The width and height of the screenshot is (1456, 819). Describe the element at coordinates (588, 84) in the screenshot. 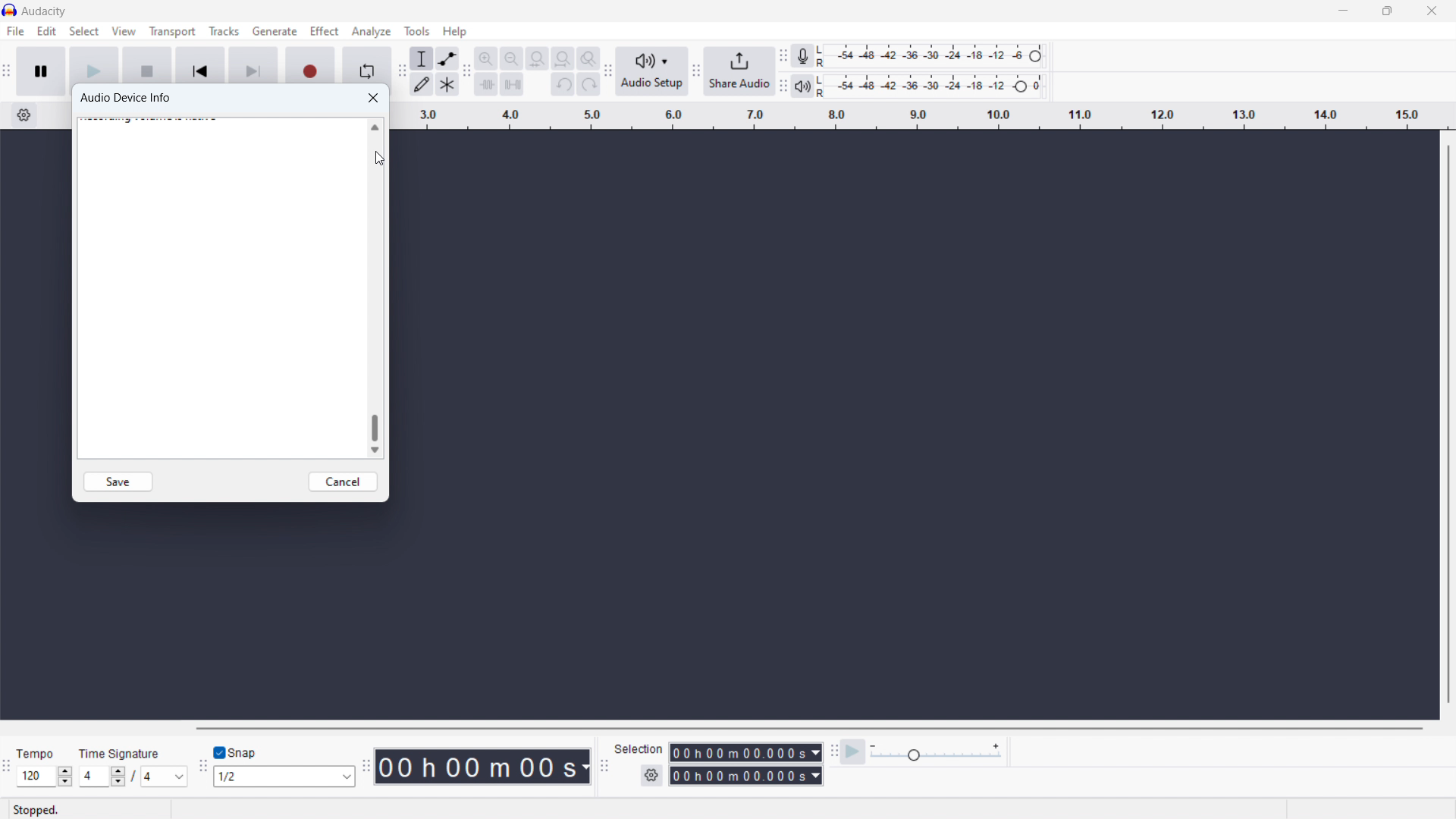

I see `redo` at that location.